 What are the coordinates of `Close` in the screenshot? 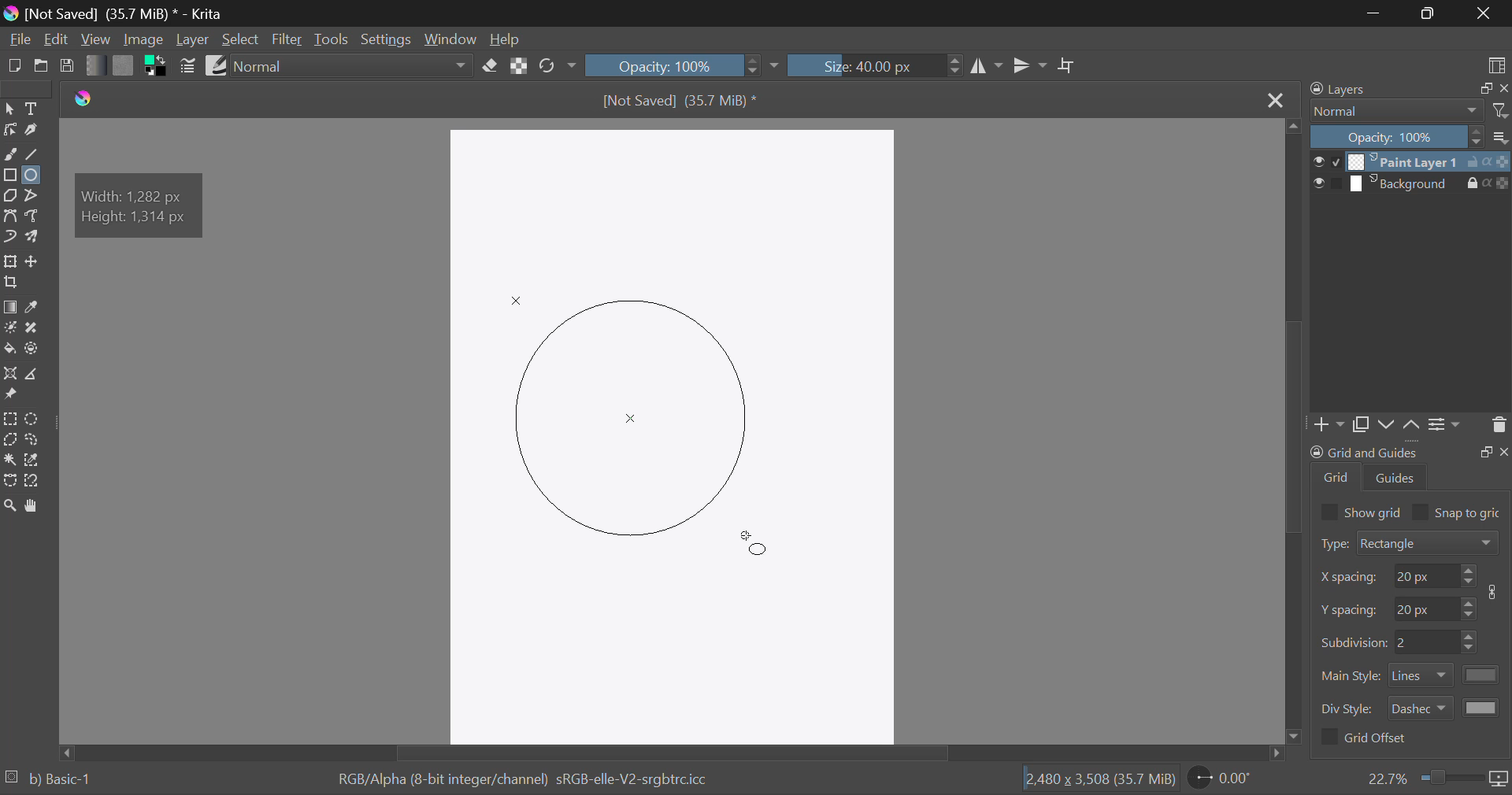 It's located at (1274, 100).